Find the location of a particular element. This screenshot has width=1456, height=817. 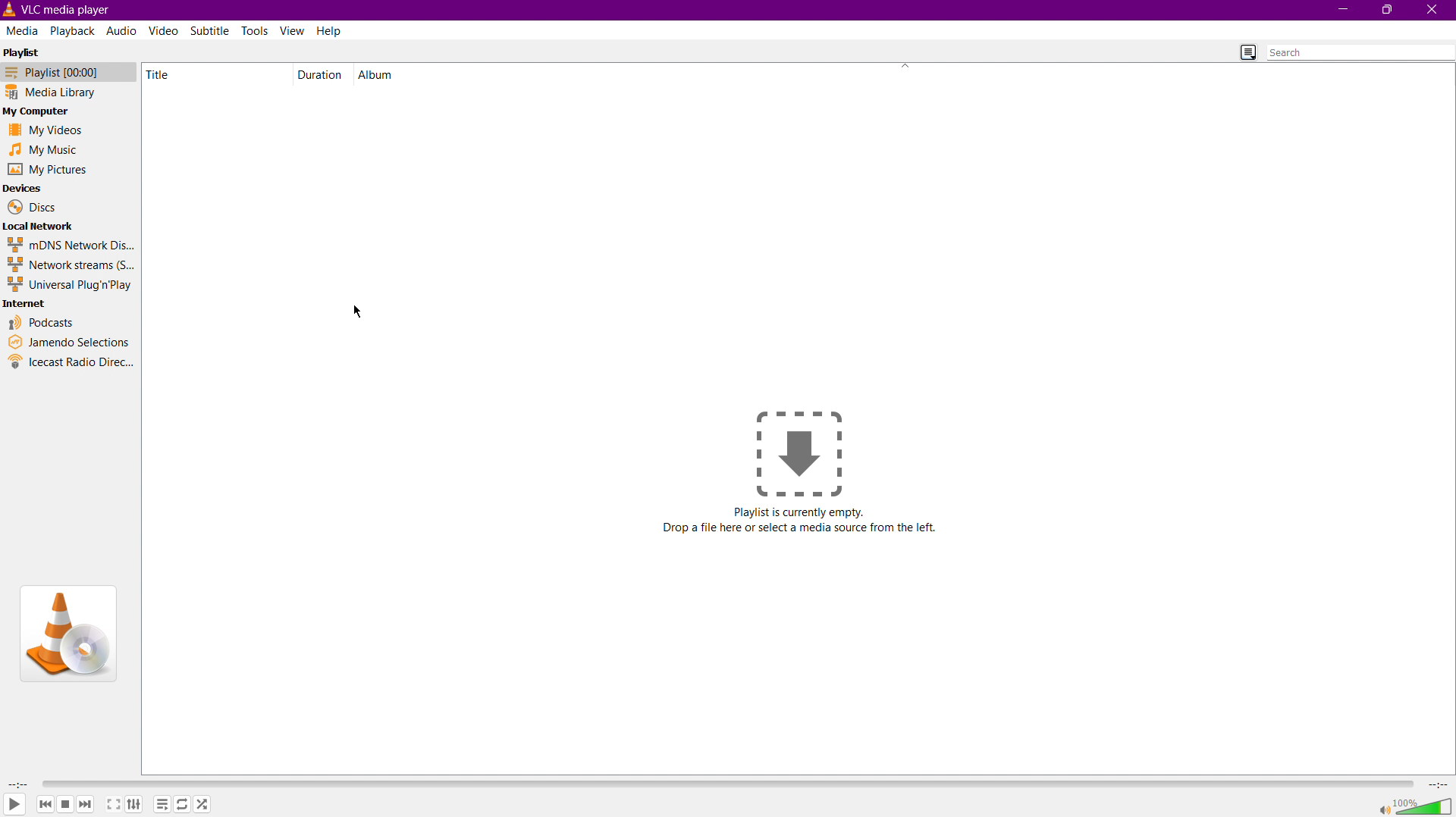

Media Library is located at coordinates (70, 91).